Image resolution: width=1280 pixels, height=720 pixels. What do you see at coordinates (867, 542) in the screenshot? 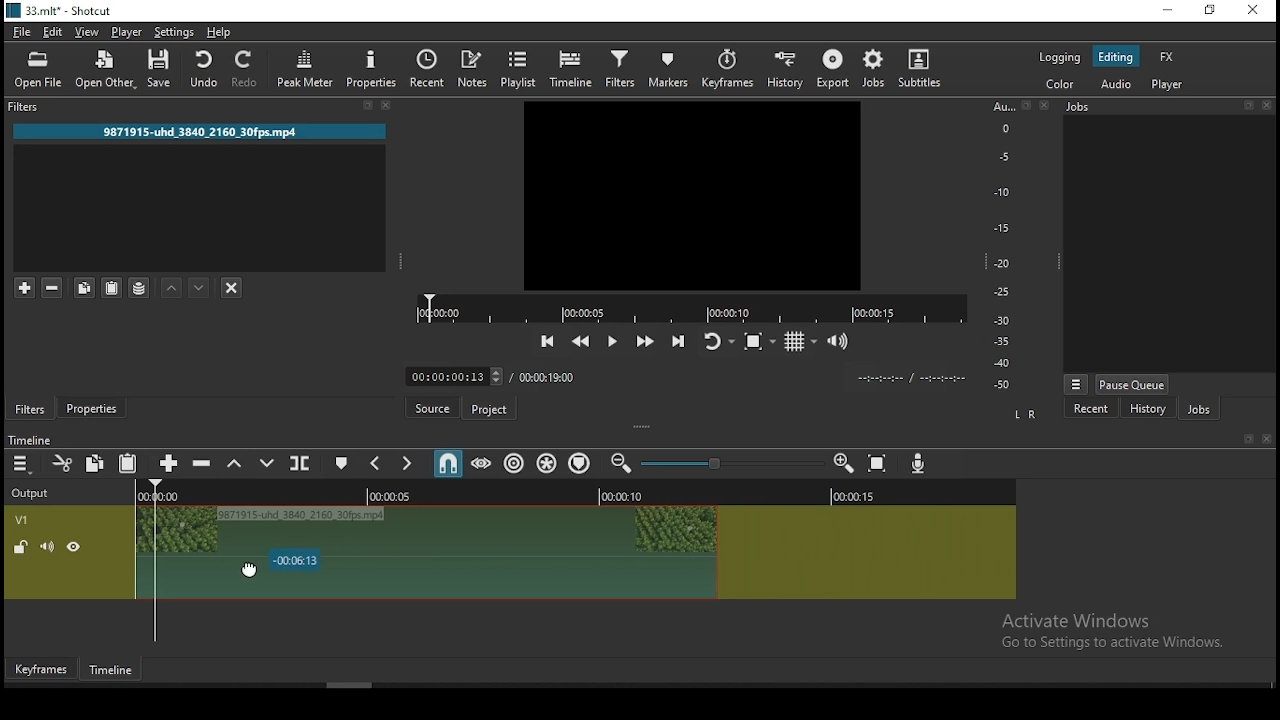
I see `video track` at bounding box center [867, 542].